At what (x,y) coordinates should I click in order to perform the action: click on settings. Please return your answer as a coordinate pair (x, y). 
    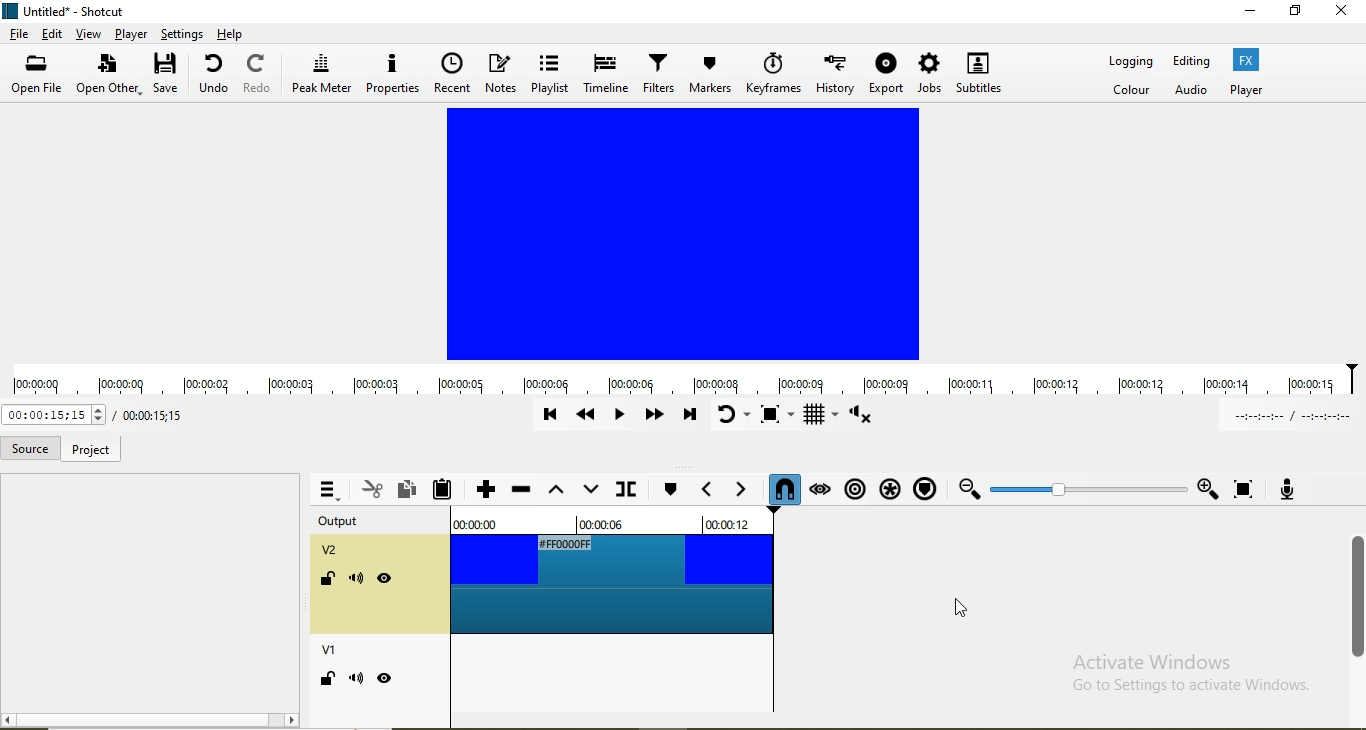
    Looking at the image, I should click on (181, 33).